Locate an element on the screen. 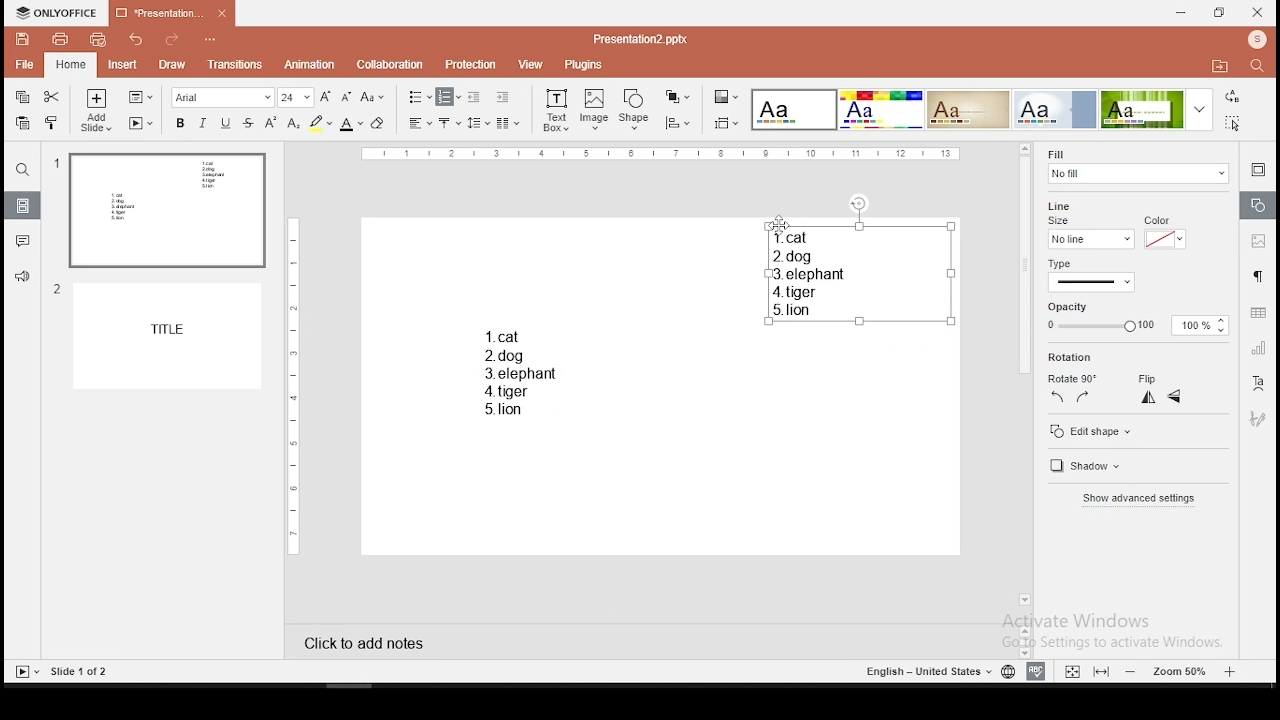 The image size is (1280, 720). add slide is located at coordinates (97, 110).